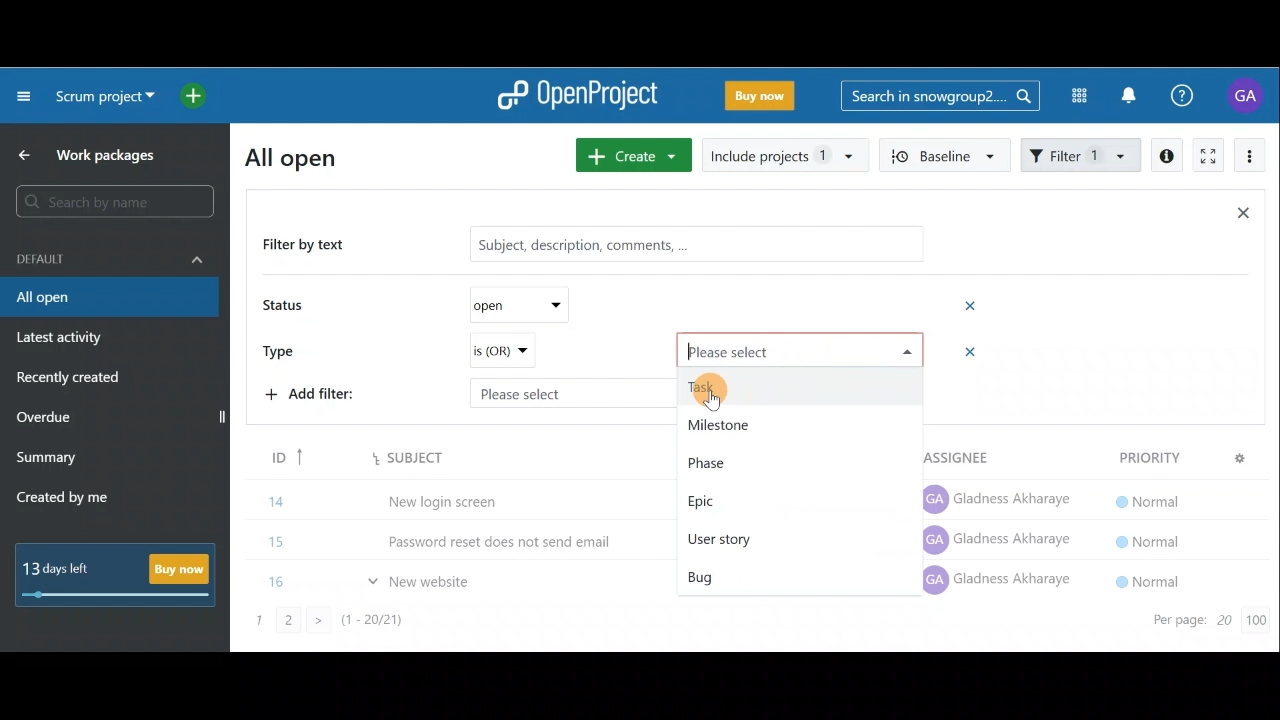  I want to click on Normal, so click(1144, 539).